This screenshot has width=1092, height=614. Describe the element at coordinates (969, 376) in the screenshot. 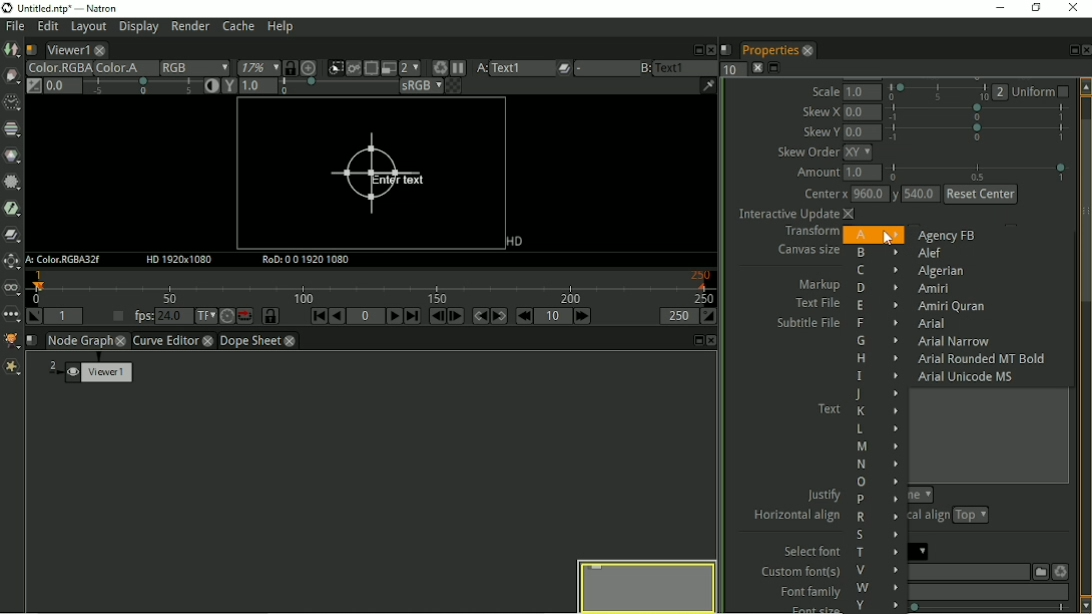

I see `Arial Unicode MS` at that location.